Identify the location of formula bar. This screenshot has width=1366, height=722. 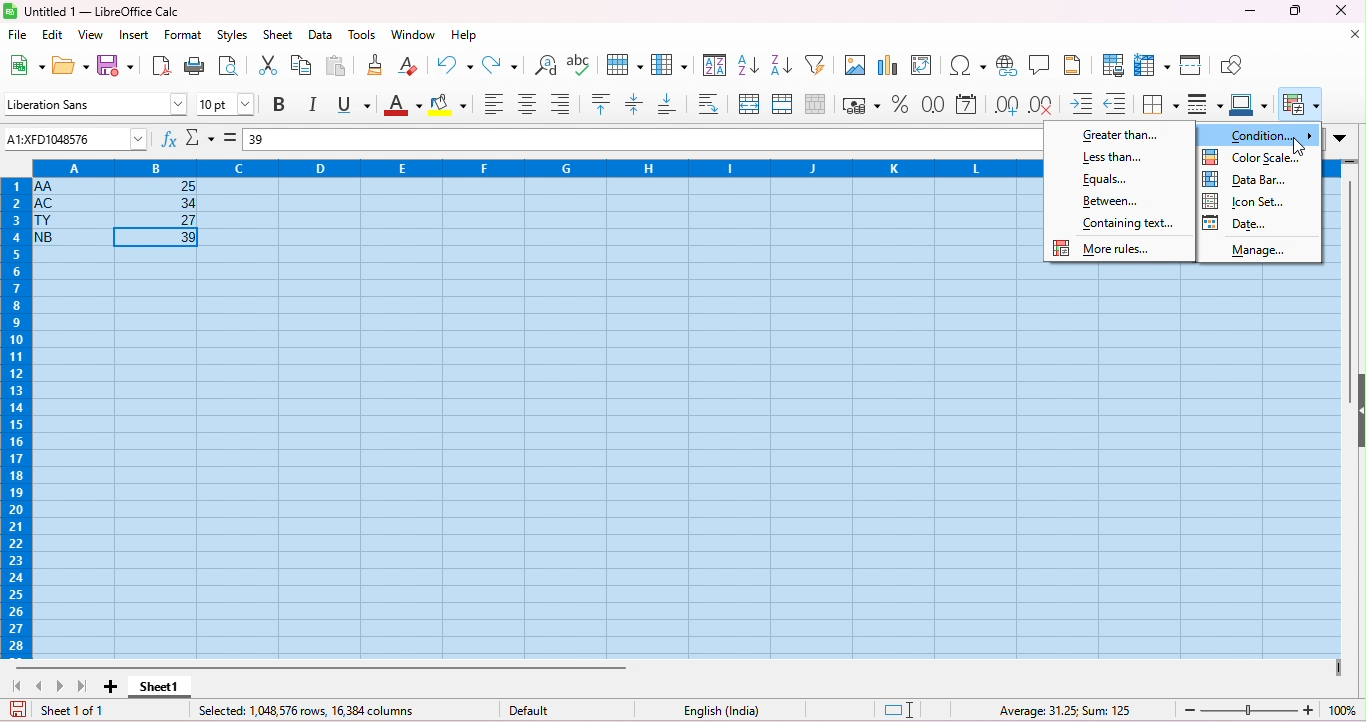
(659, 139).